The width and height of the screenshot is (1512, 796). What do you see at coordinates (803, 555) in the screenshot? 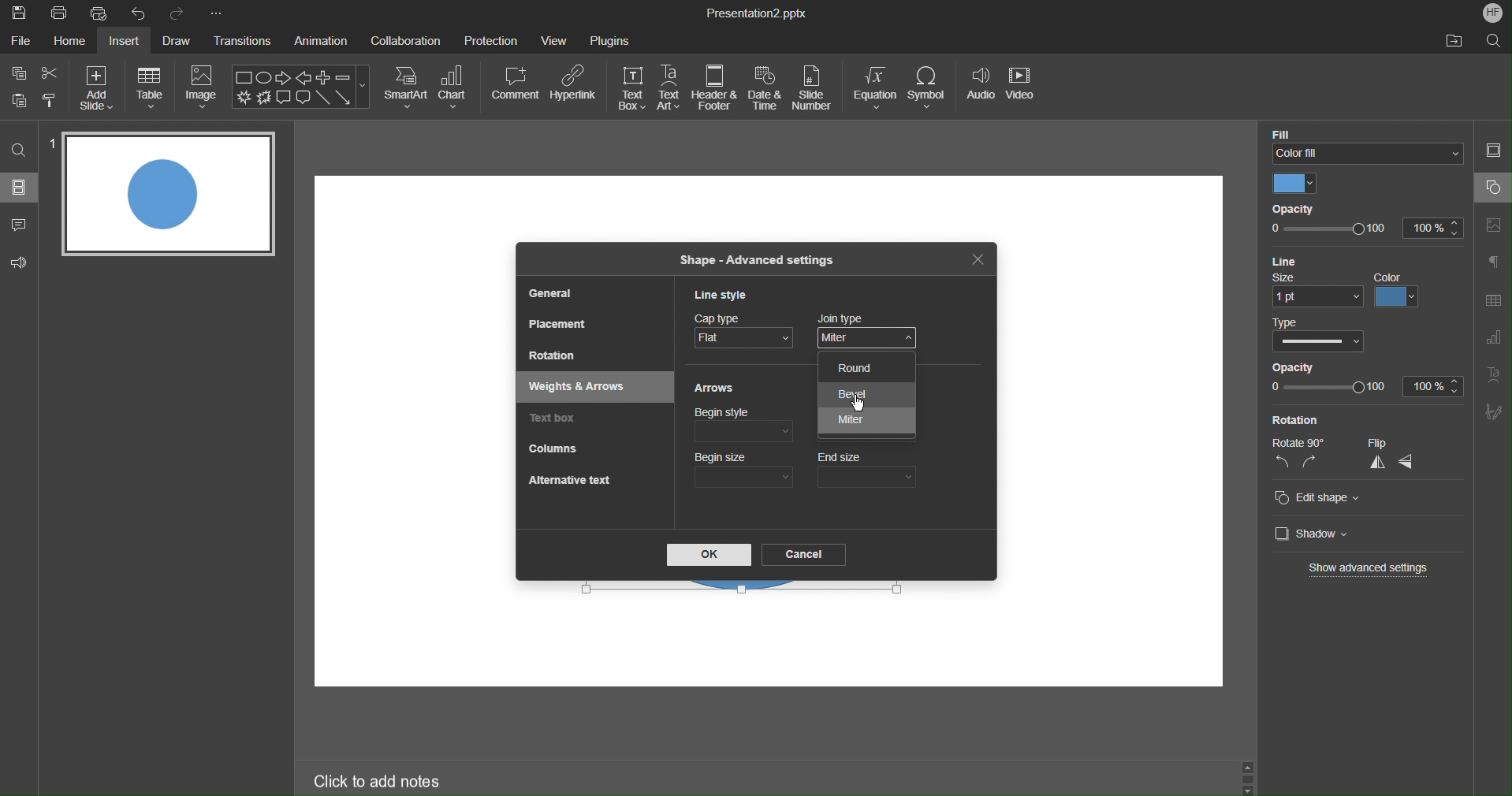
I see `Cancel` at bounding box center [803, 555].